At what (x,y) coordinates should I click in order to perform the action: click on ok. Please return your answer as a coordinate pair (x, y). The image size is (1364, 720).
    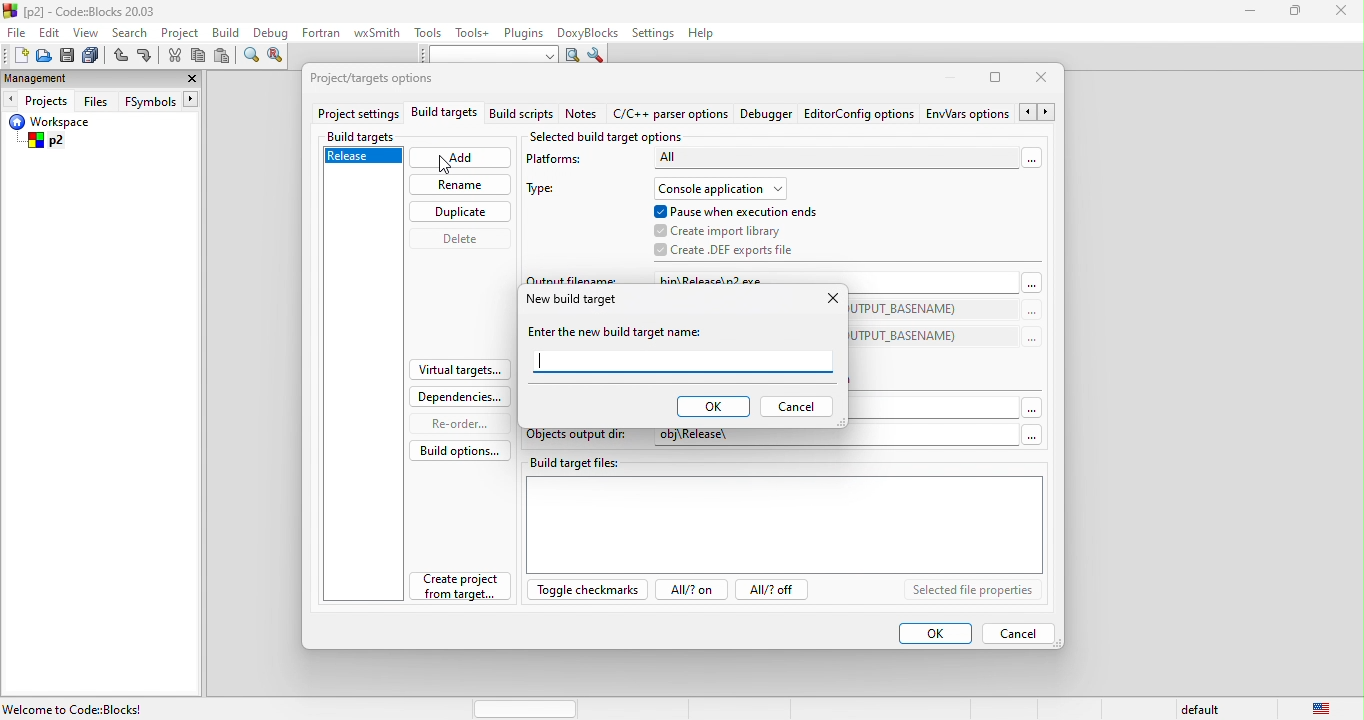
    Looking at the image, I should click on (932, 631).